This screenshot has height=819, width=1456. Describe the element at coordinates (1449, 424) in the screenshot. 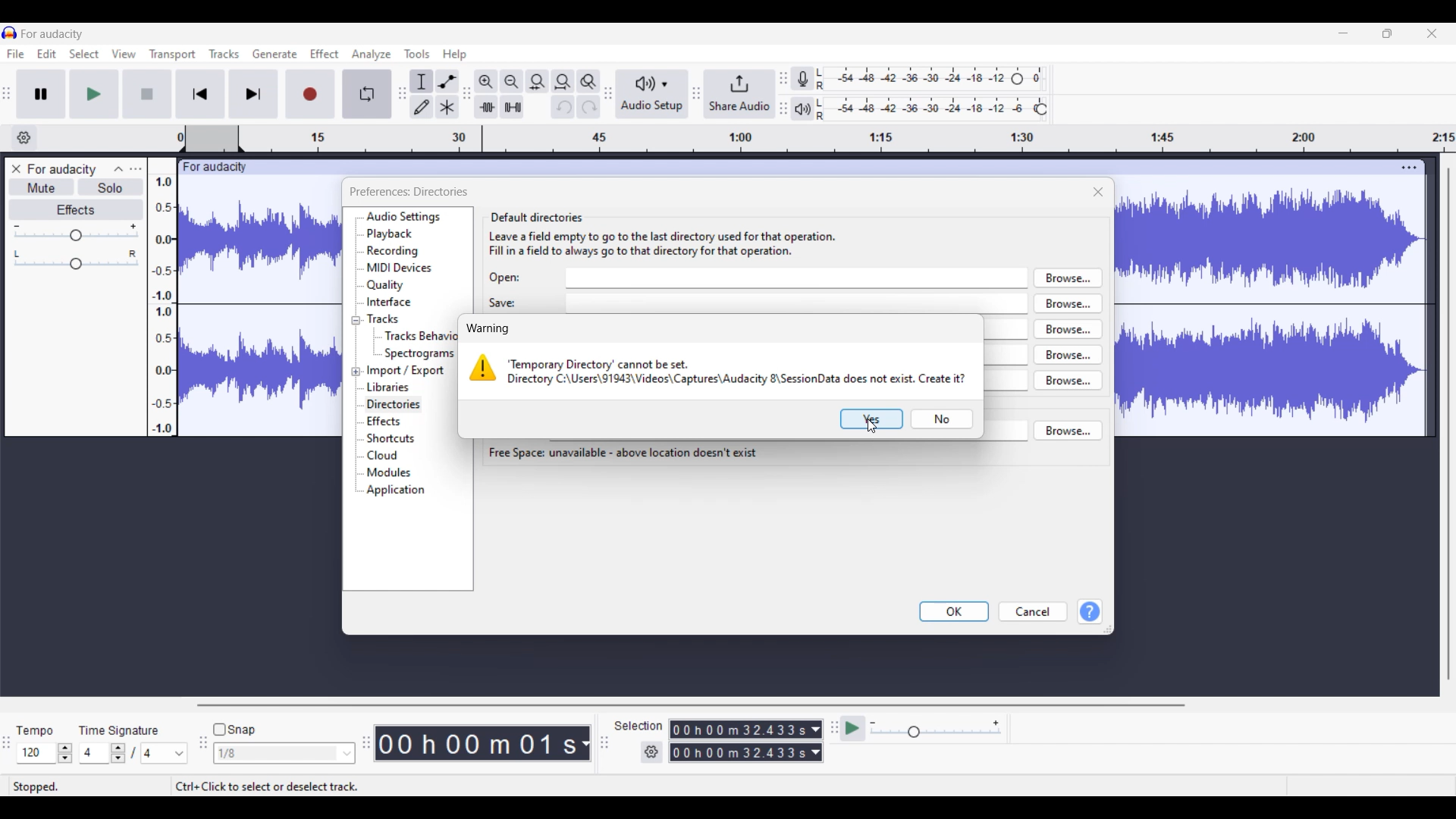

I see `Vertical scroll bar` at that location.